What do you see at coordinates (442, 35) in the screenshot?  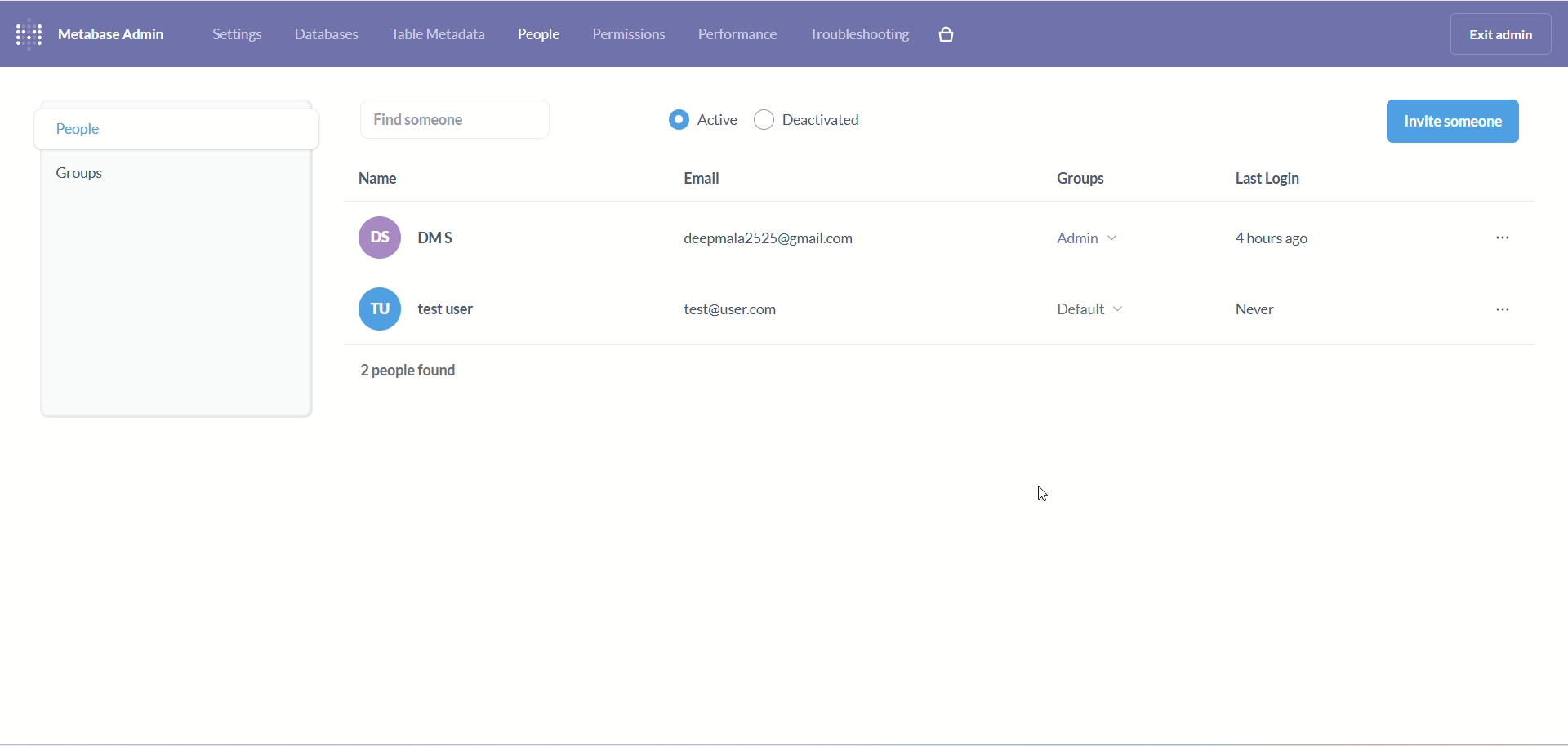 I see `table metadata` at bounding box center [442, 35].